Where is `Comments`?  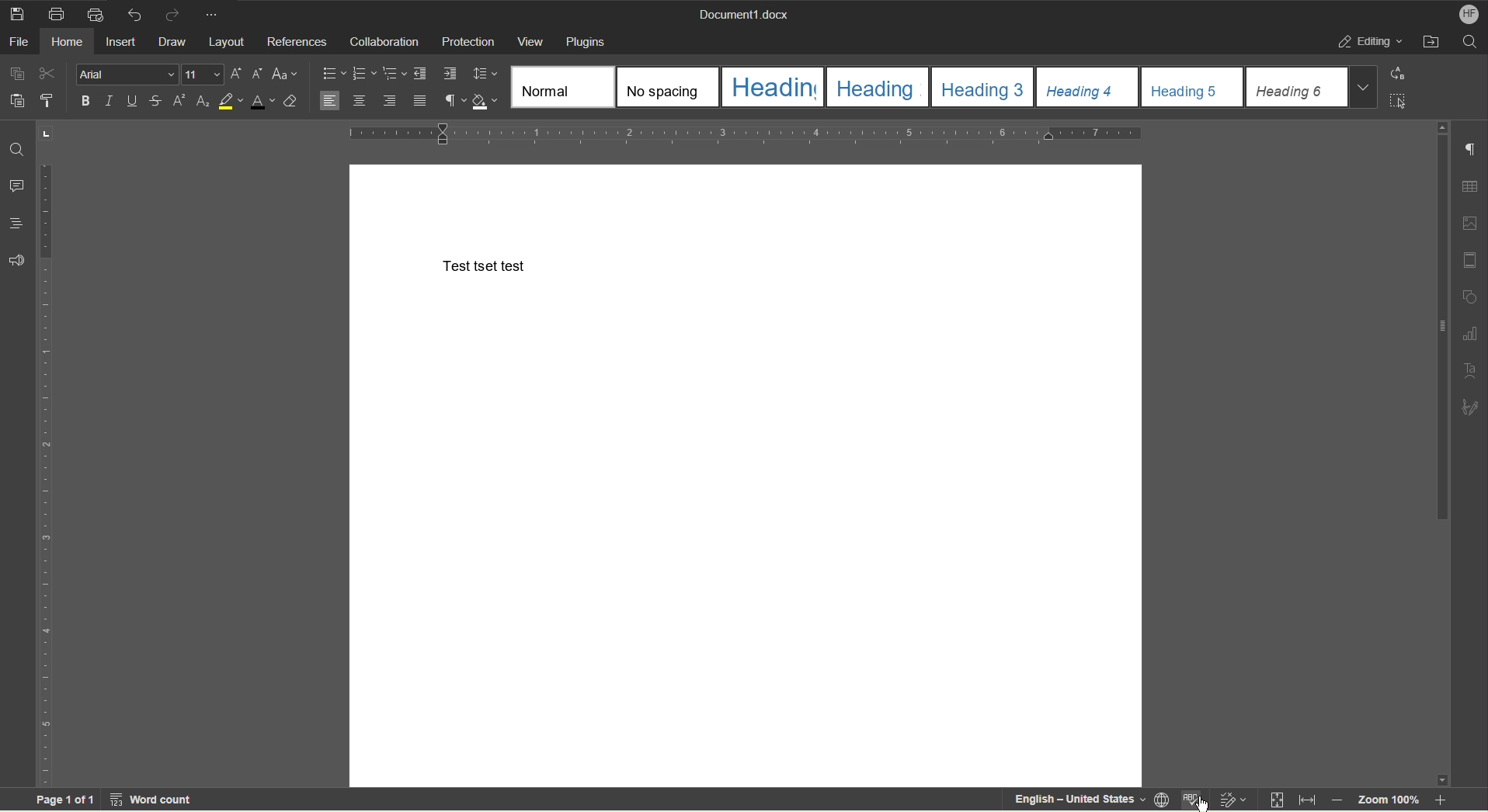 Comments is located at coordinates (16, 186).